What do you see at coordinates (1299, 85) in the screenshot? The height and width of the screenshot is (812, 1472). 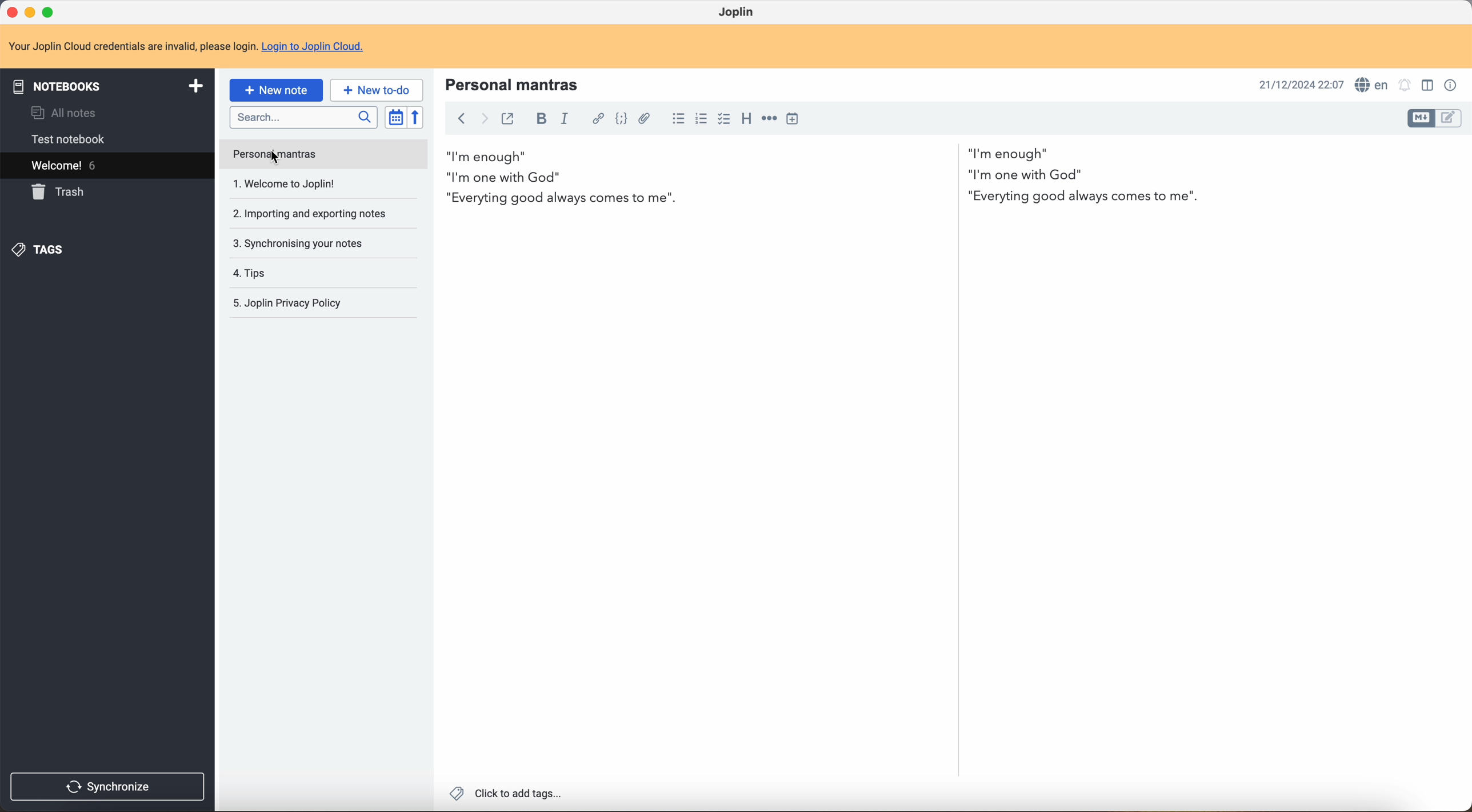 I see `date and hour` at bounding box center [1299, 85].